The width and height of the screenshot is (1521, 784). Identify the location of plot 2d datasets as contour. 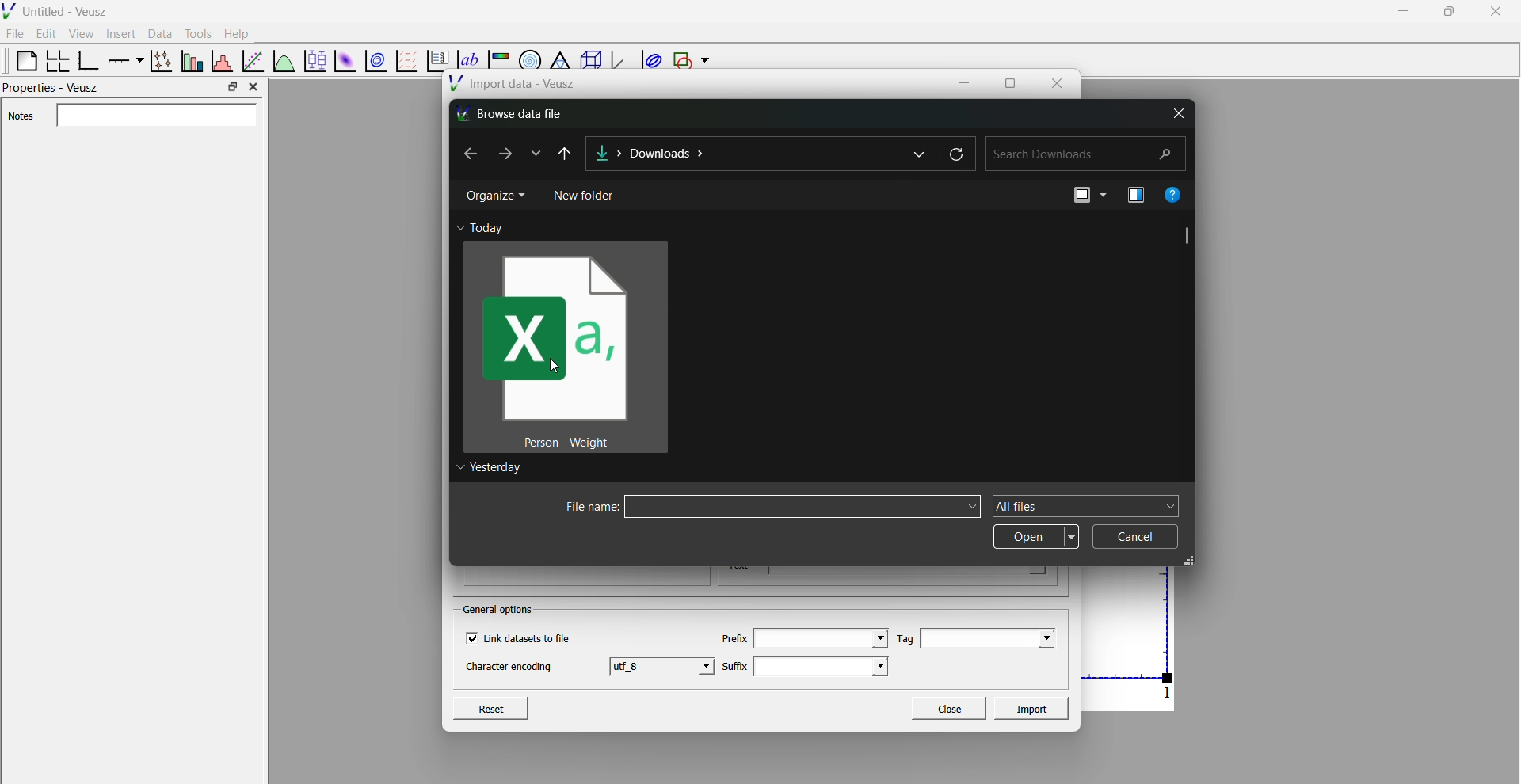
(376, 62).